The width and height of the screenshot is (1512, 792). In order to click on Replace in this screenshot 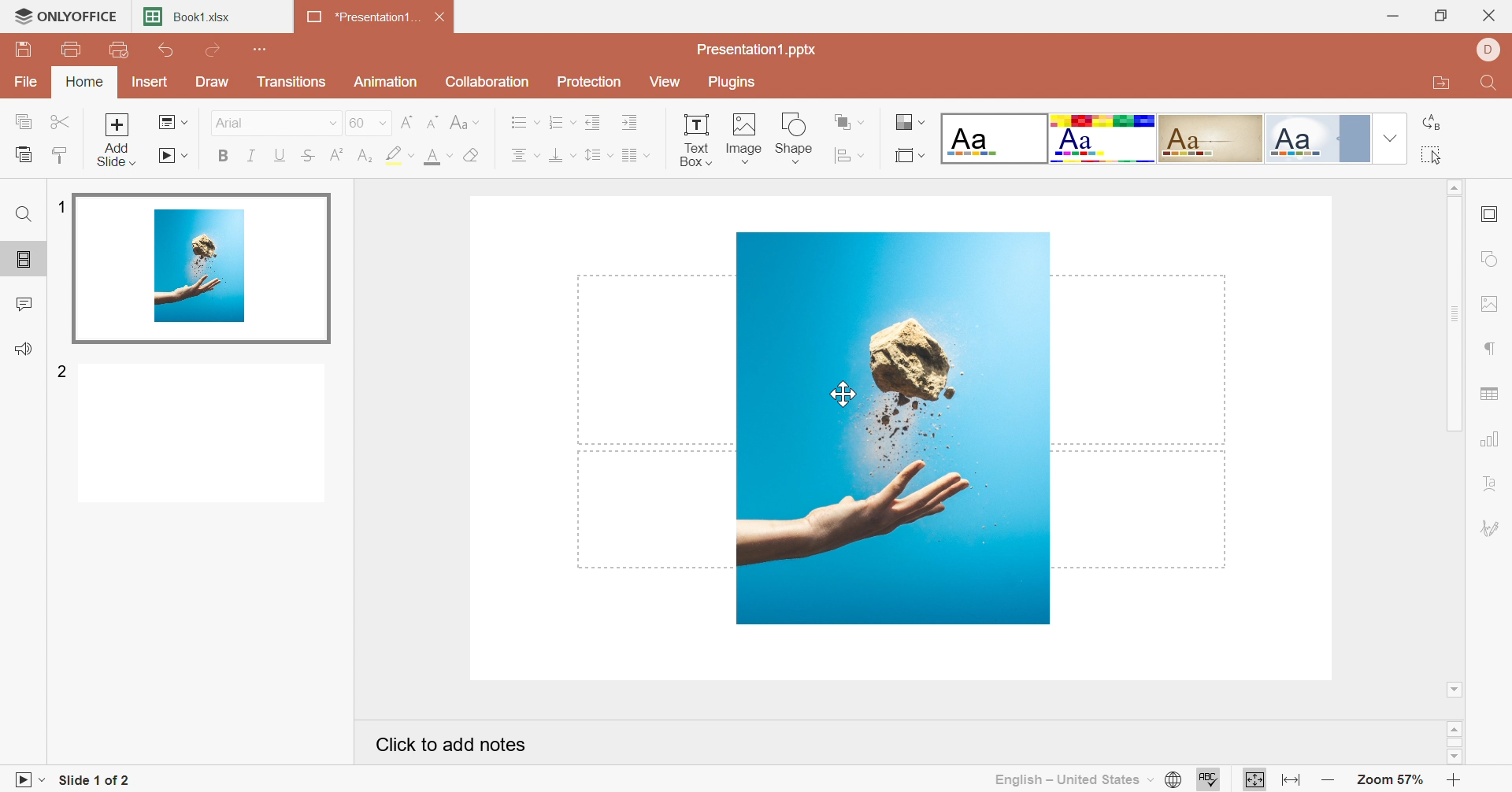, I will do `click(1432, 122)`.